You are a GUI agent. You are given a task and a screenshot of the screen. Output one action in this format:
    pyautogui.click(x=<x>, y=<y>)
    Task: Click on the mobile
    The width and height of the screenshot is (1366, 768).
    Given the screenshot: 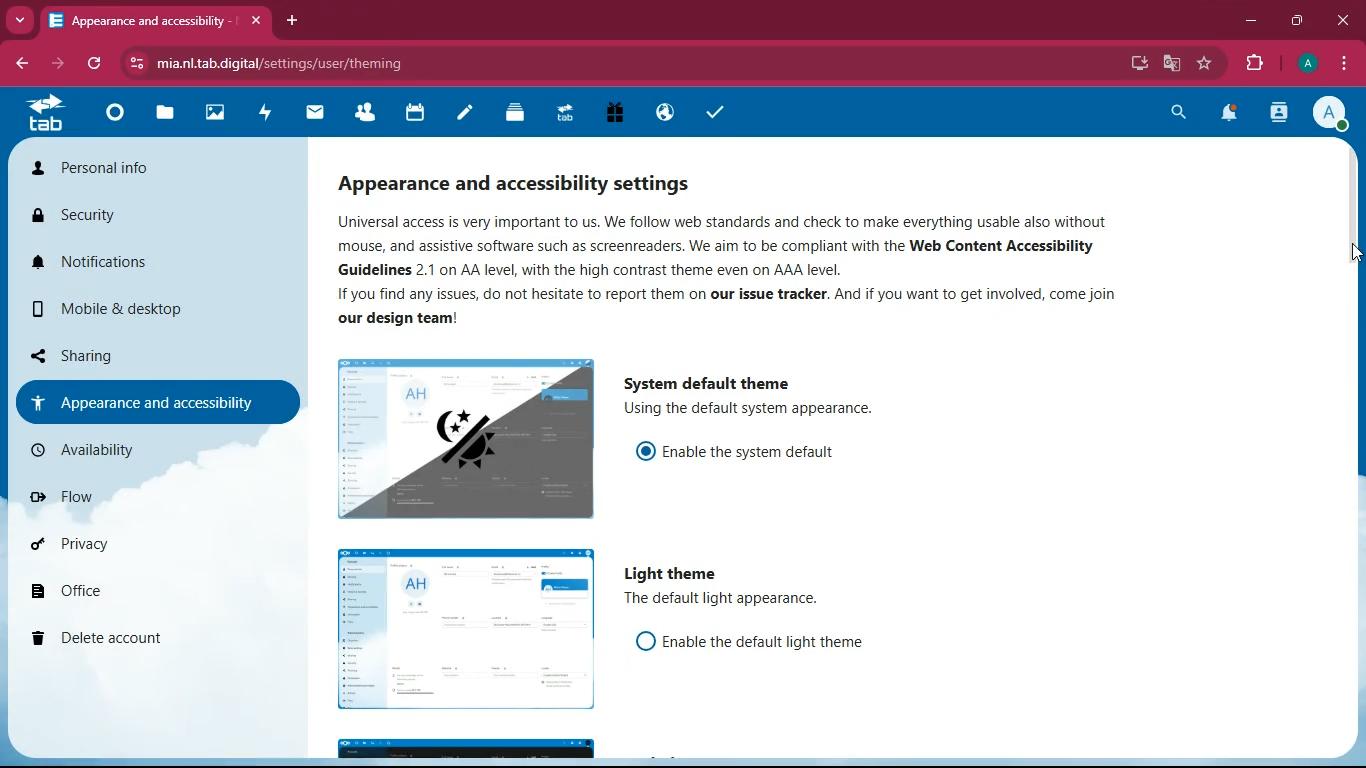 What is the action you would take?
    pyautogui.click(x=130, y=308)
    